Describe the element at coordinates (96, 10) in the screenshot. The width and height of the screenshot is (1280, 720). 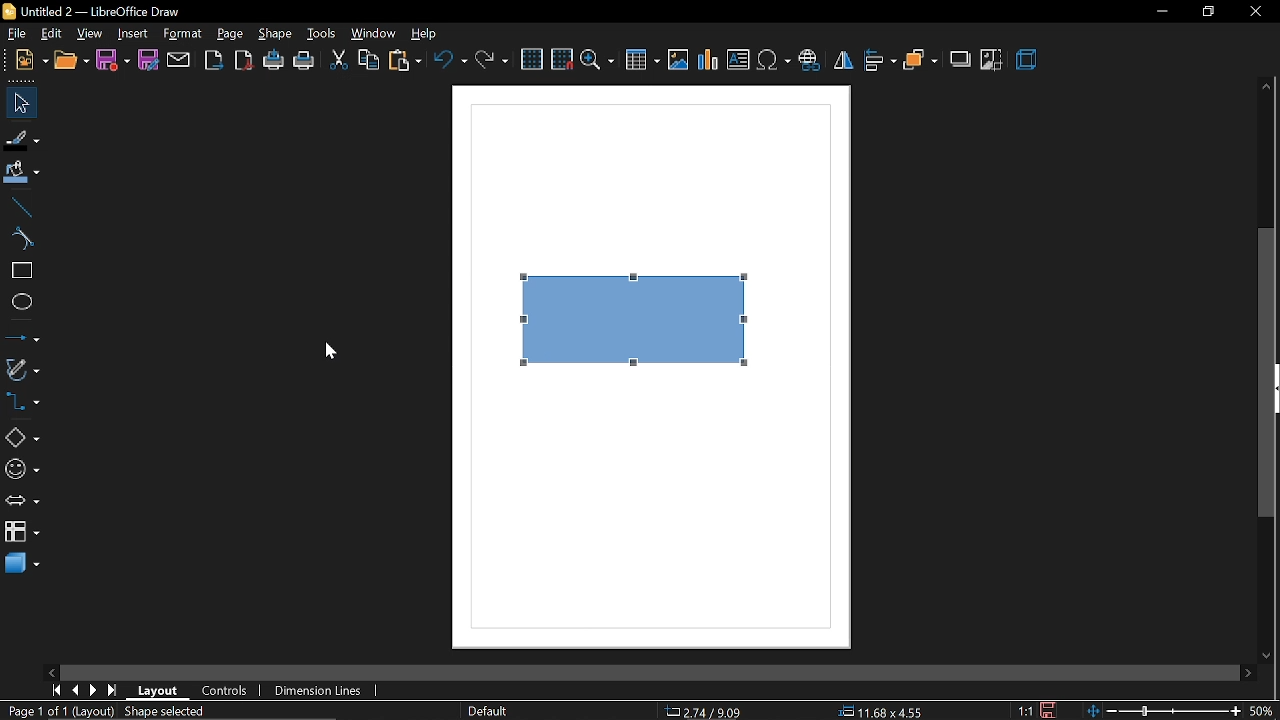
I see `Untitled 2 - LibreOffice Draw` at that location.